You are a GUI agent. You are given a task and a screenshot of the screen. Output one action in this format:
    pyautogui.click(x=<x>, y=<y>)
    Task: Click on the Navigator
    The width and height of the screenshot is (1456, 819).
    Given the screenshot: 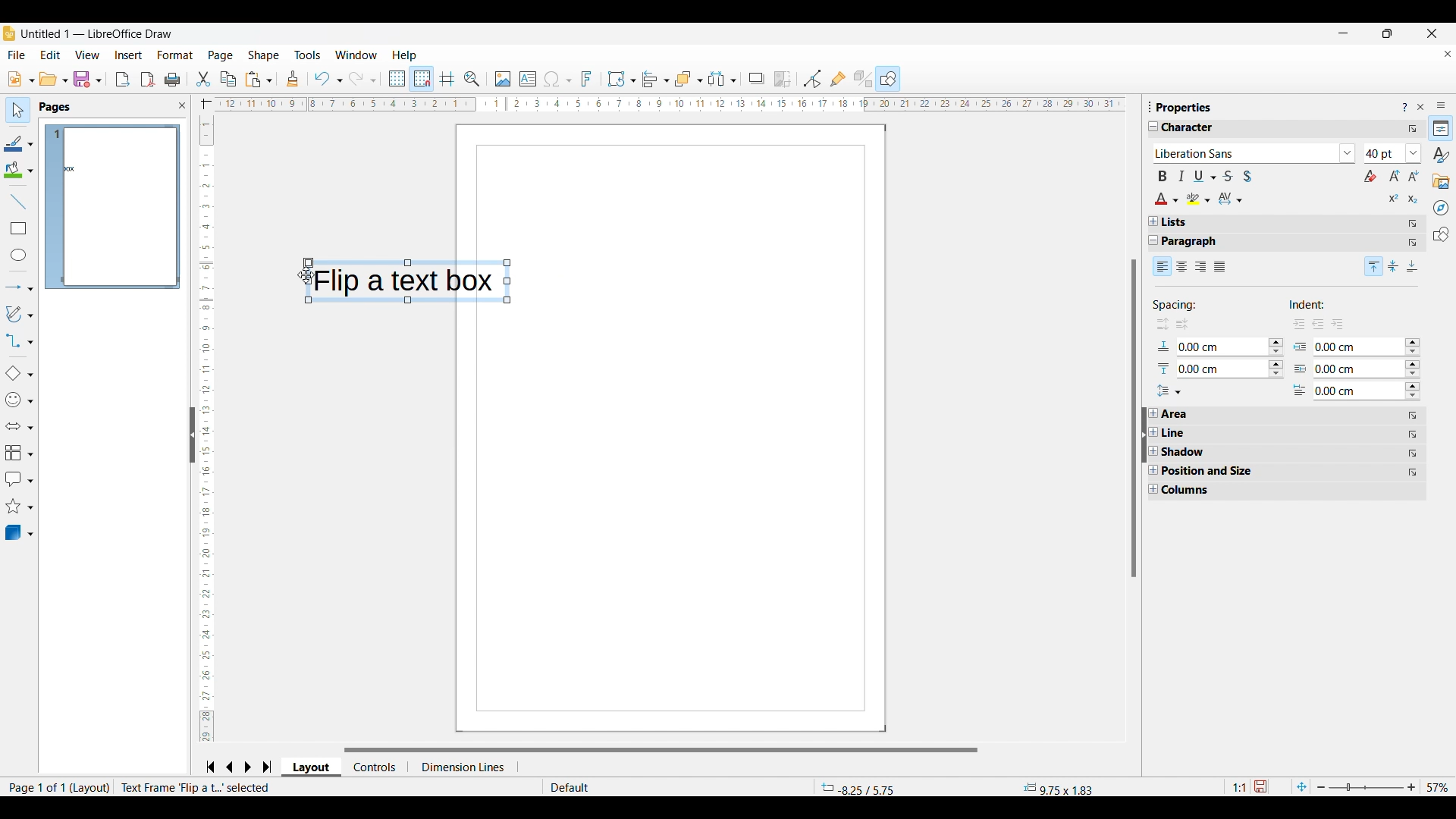 What is the action you would take?
    pyautogui.click(x=1441, y=208)
    